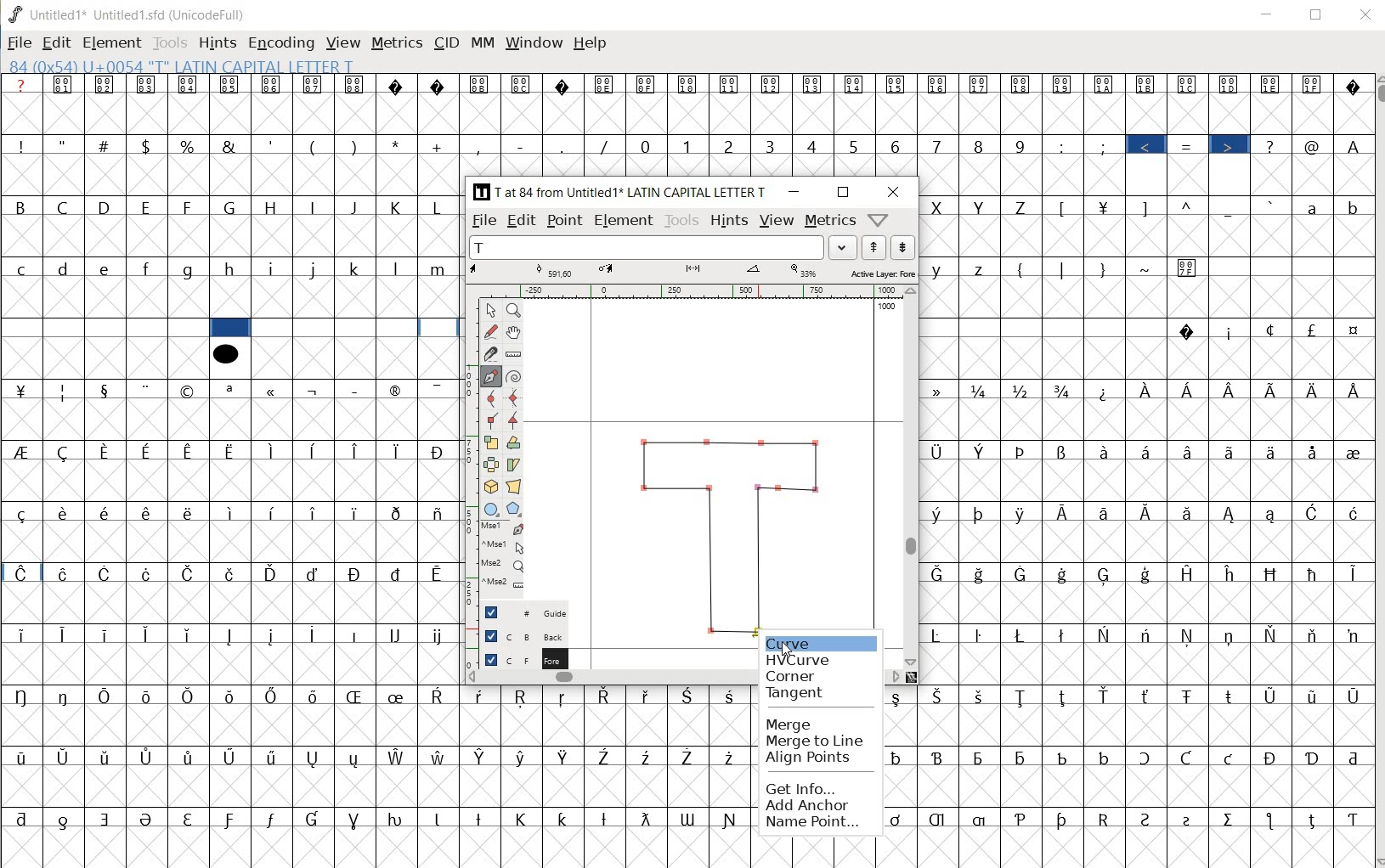 Image resolution: width=1385 pixels, height=868 pixels. Describe the element at coordinates (438, 451) in the screenshot. I see `Symbol` at that location.